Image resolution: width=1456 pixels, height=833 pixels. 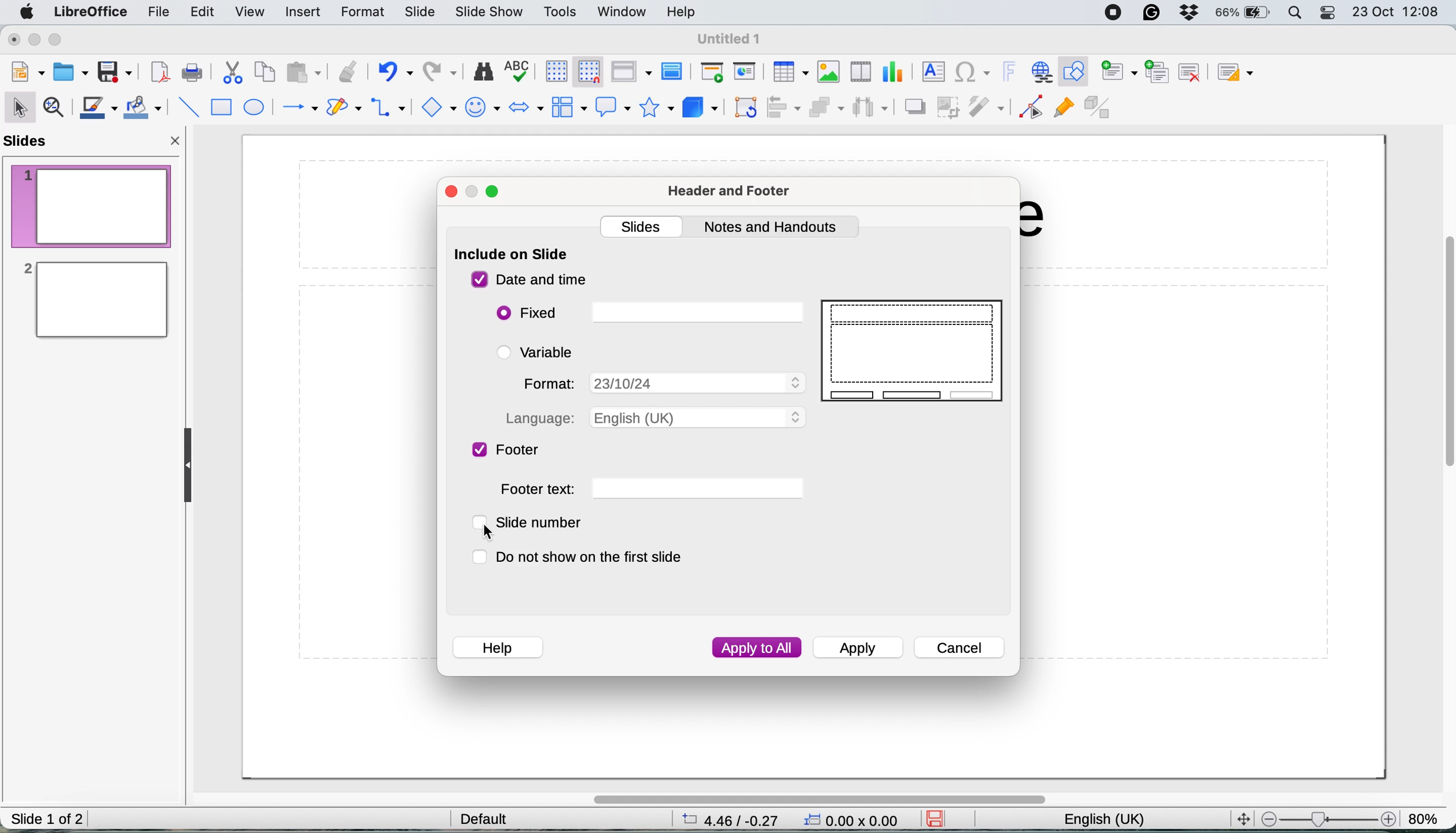 What do you see at coordinates (825, 109) in the screenshot?
I see `arrange` at bounding box center [825, 109].